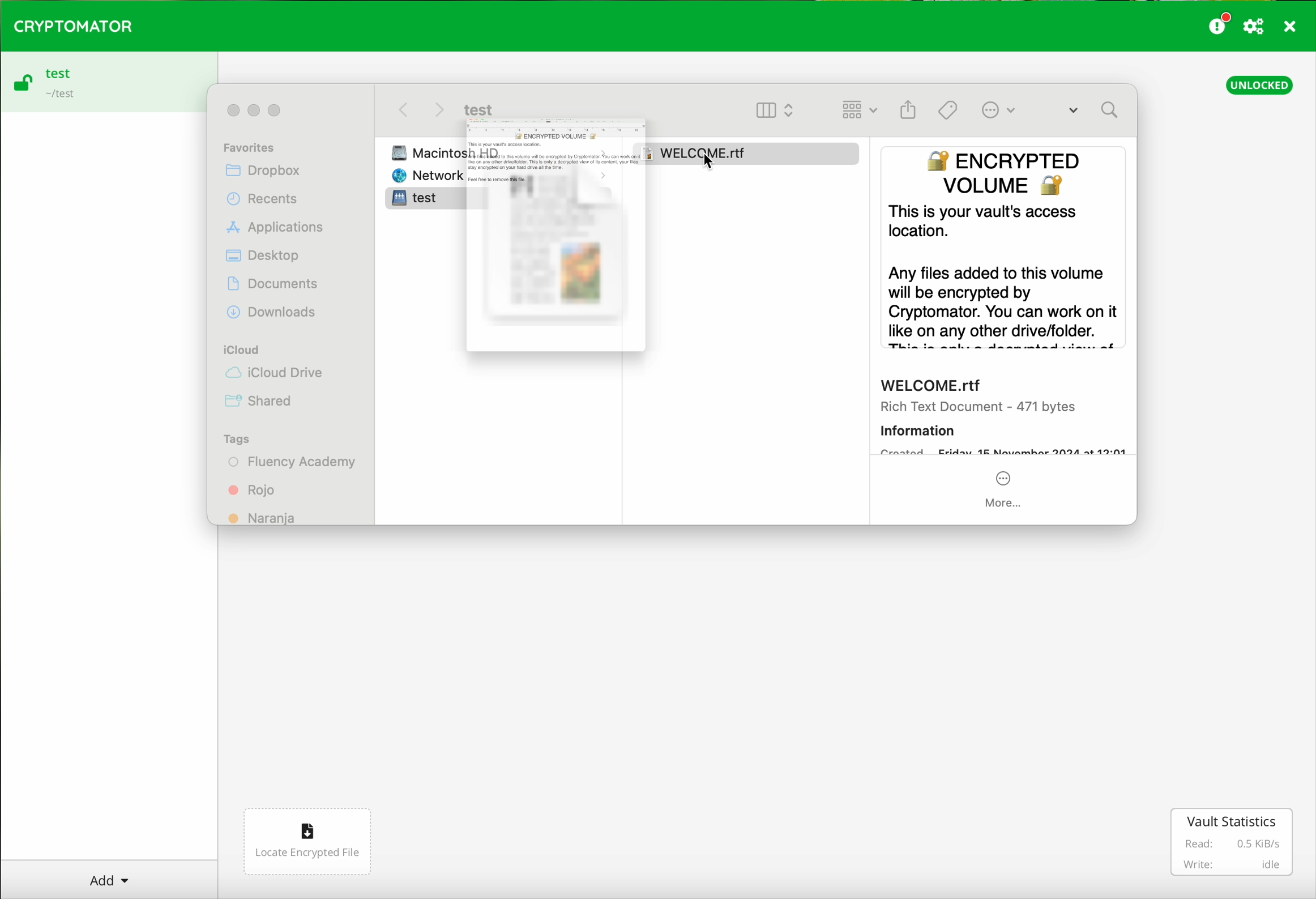 The width and height of the screenshot is (1316, 899). Describe the element at coordinates (255, 489) in the screenshot. I see `Rojo` at that location.